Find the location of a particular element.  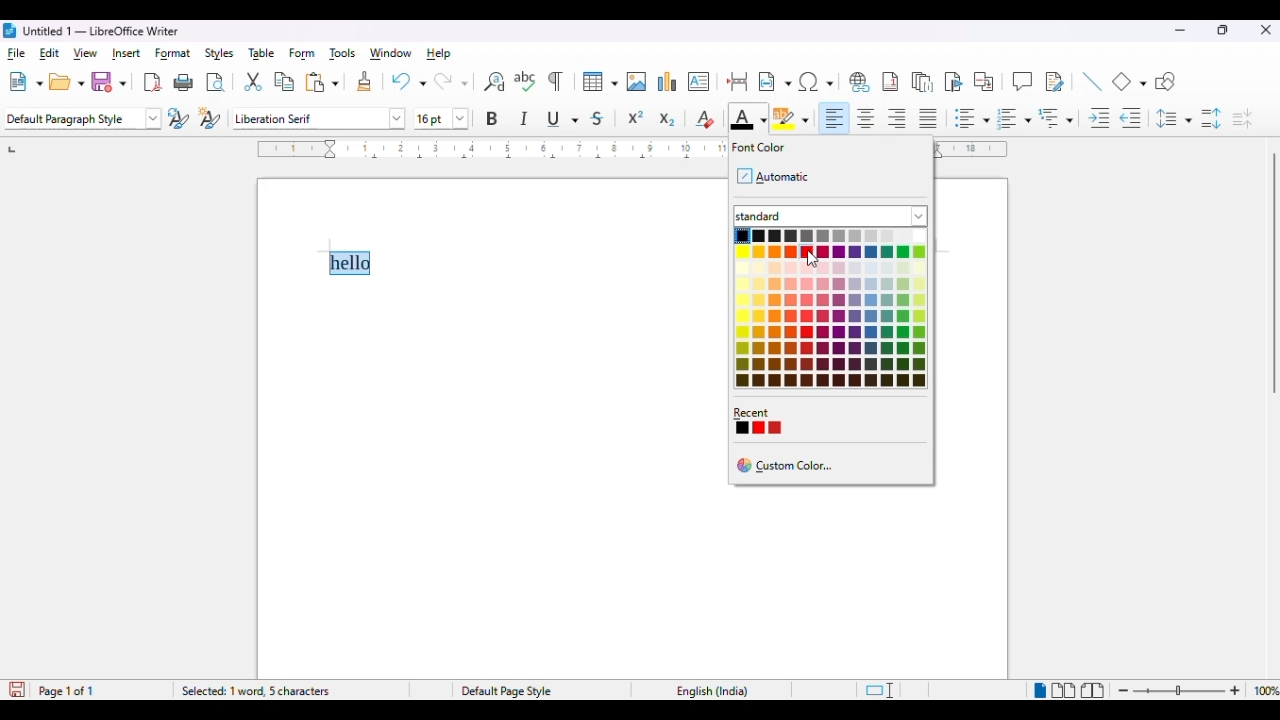

clone formatting is located at coordinates (365, 82).